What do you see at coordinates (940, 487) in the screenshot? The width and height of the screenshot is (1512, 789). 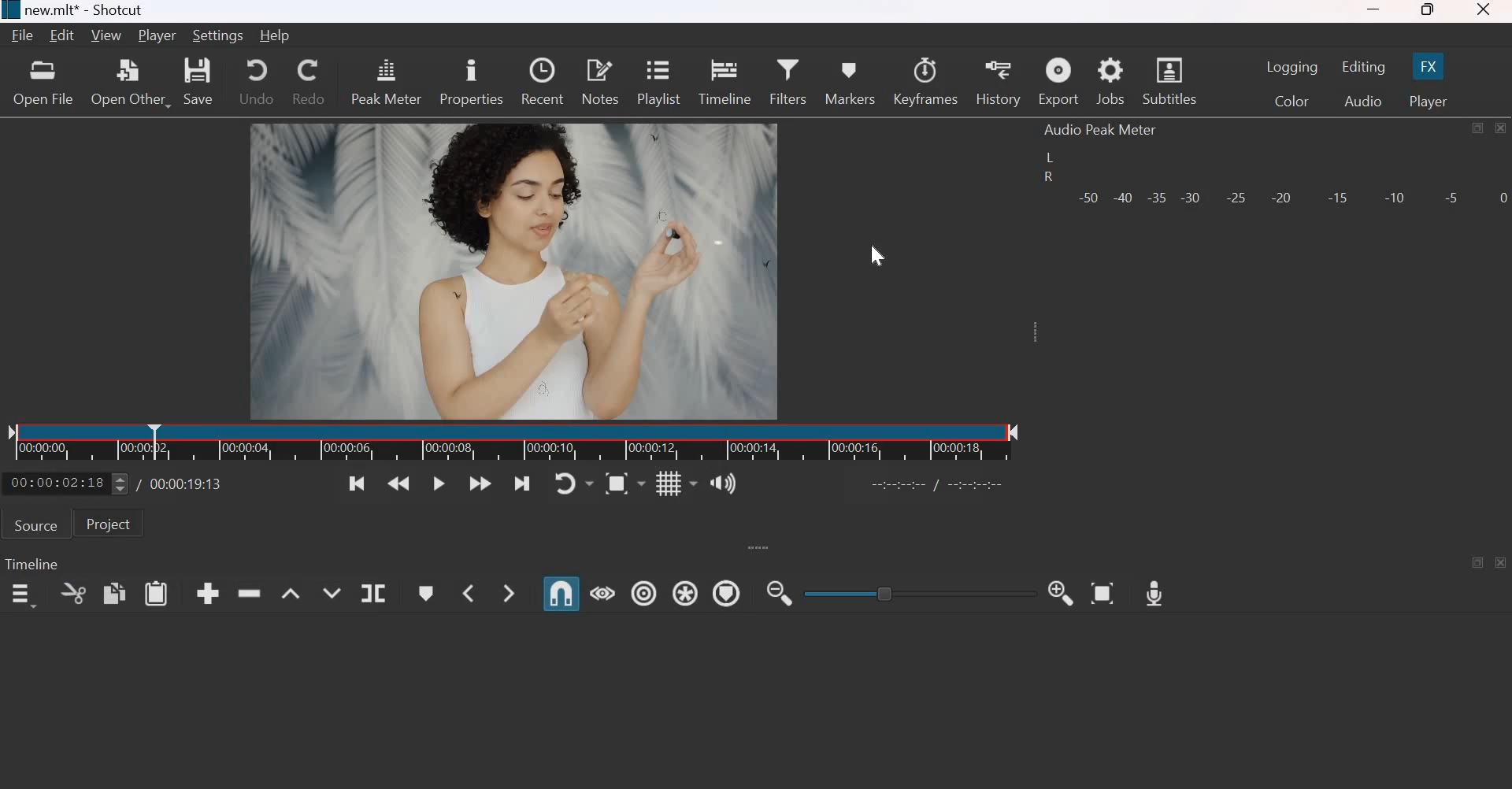 I see `in point` at bounding box center [940, 487].